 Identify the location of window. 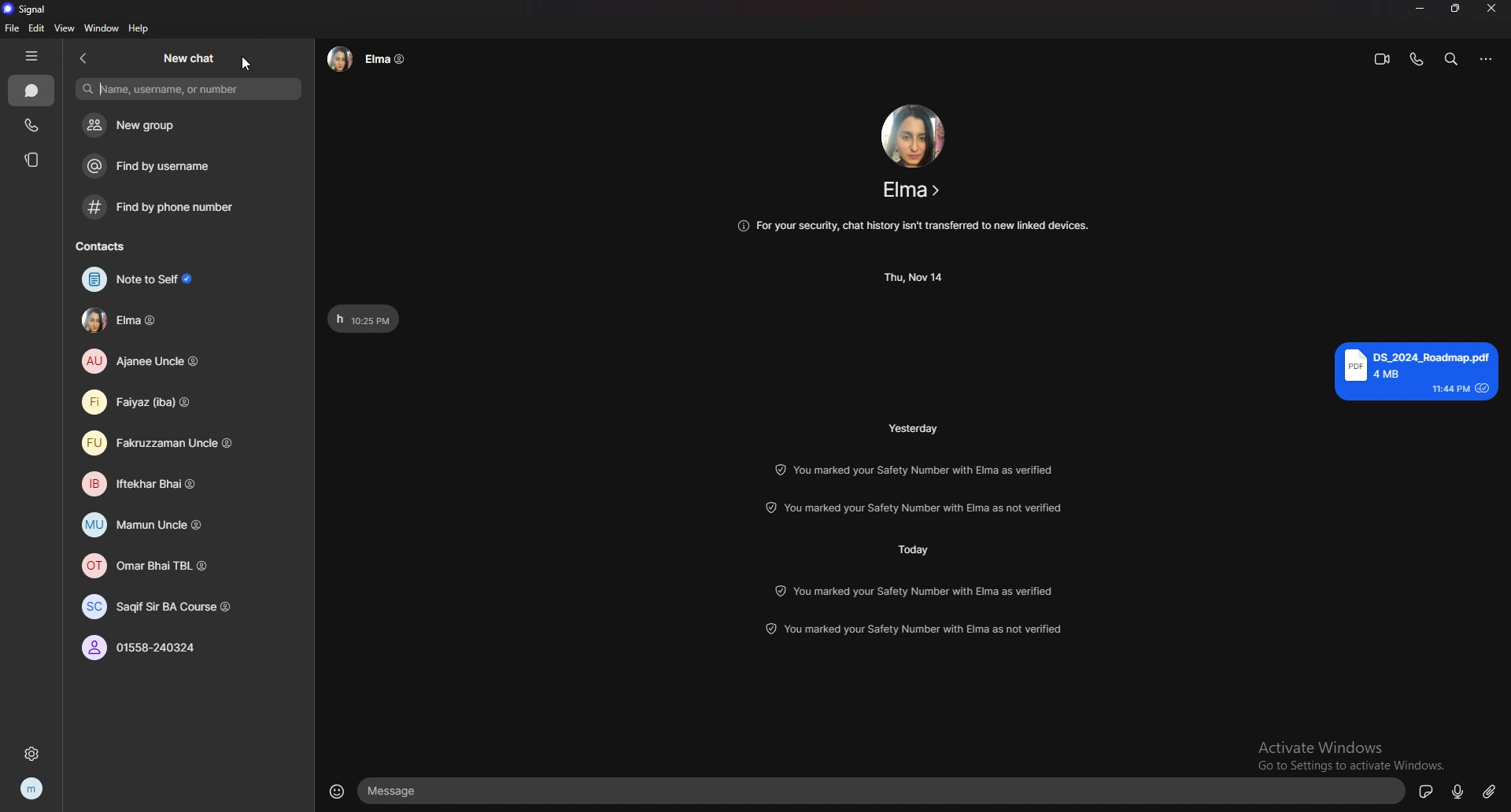
(102, 28).